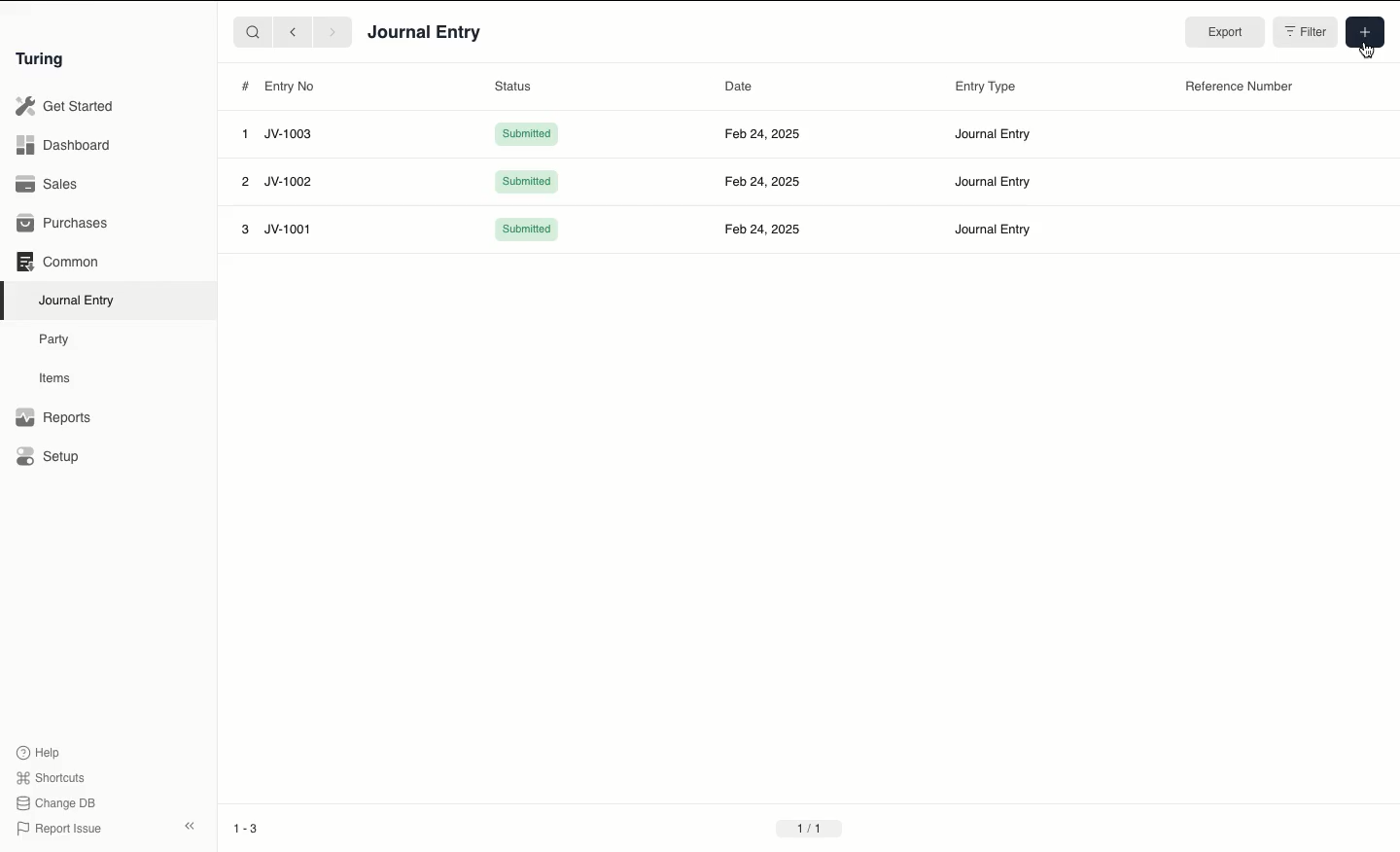 This screenshot has height=852, width=1400. I want to click on Search, so click(252, 31).